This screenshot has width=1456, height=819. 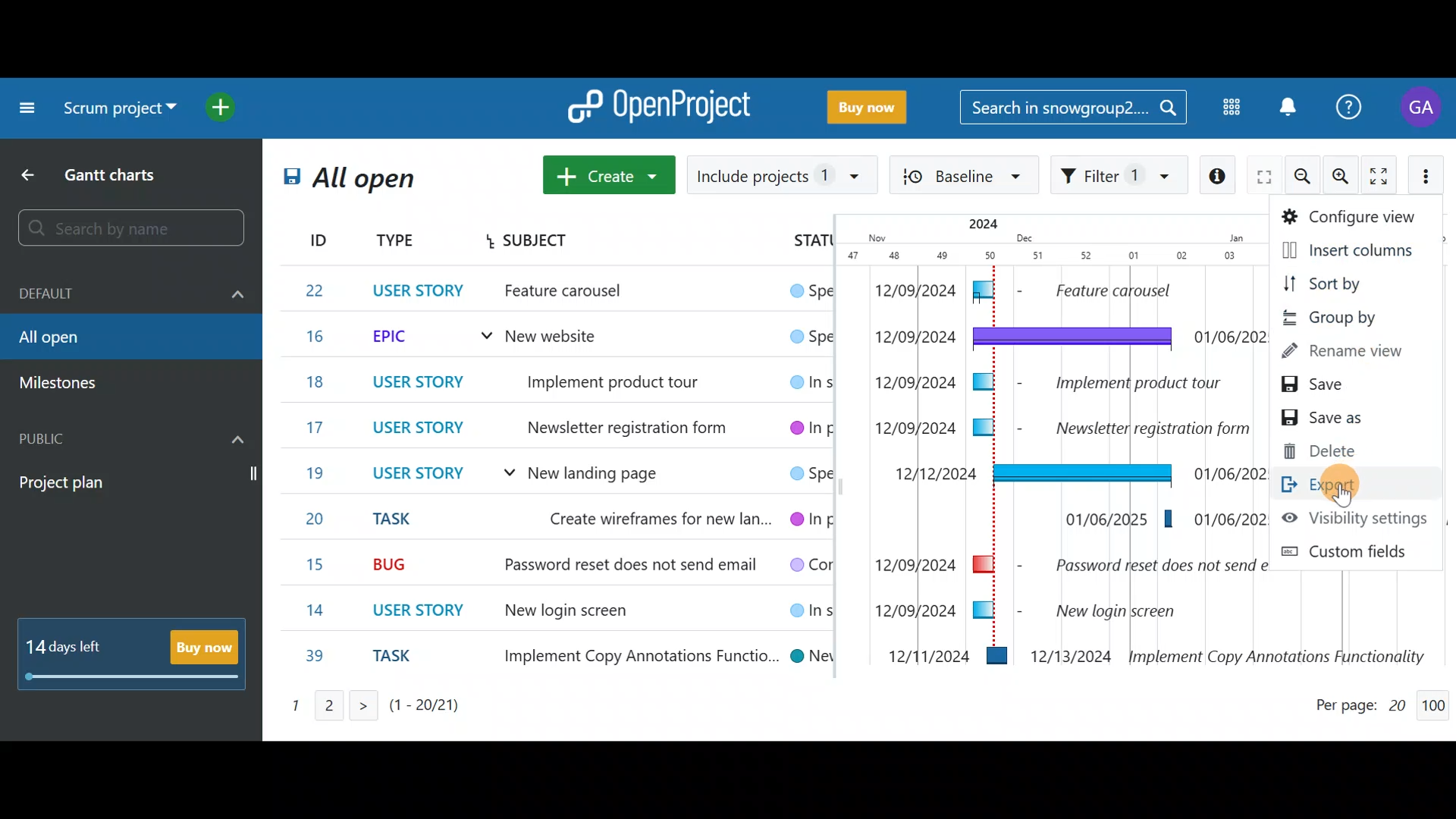 What do you see at coordinates (634, 380) in the screenshot?
I see `Implement product tour` at bounding box center [634, 380].